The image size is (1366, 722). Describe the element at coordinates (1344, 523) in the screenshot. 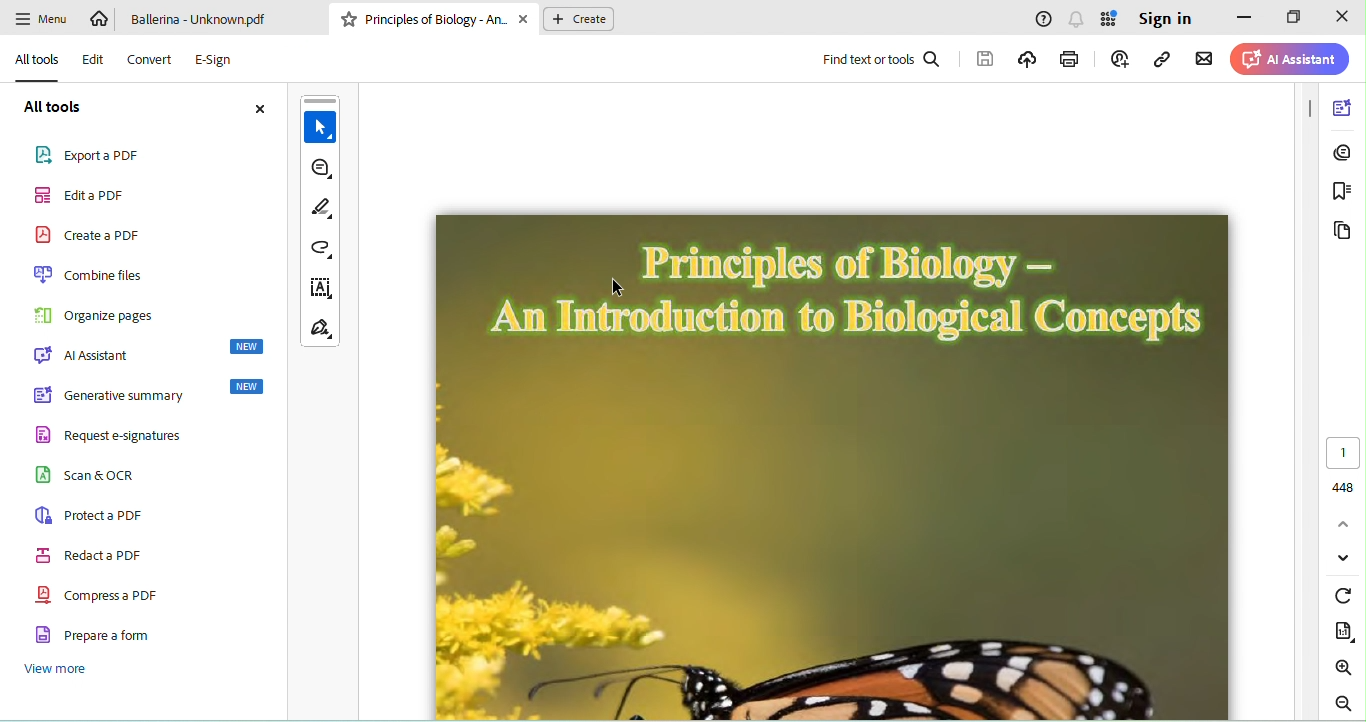

I see `go to previous page` at that location.